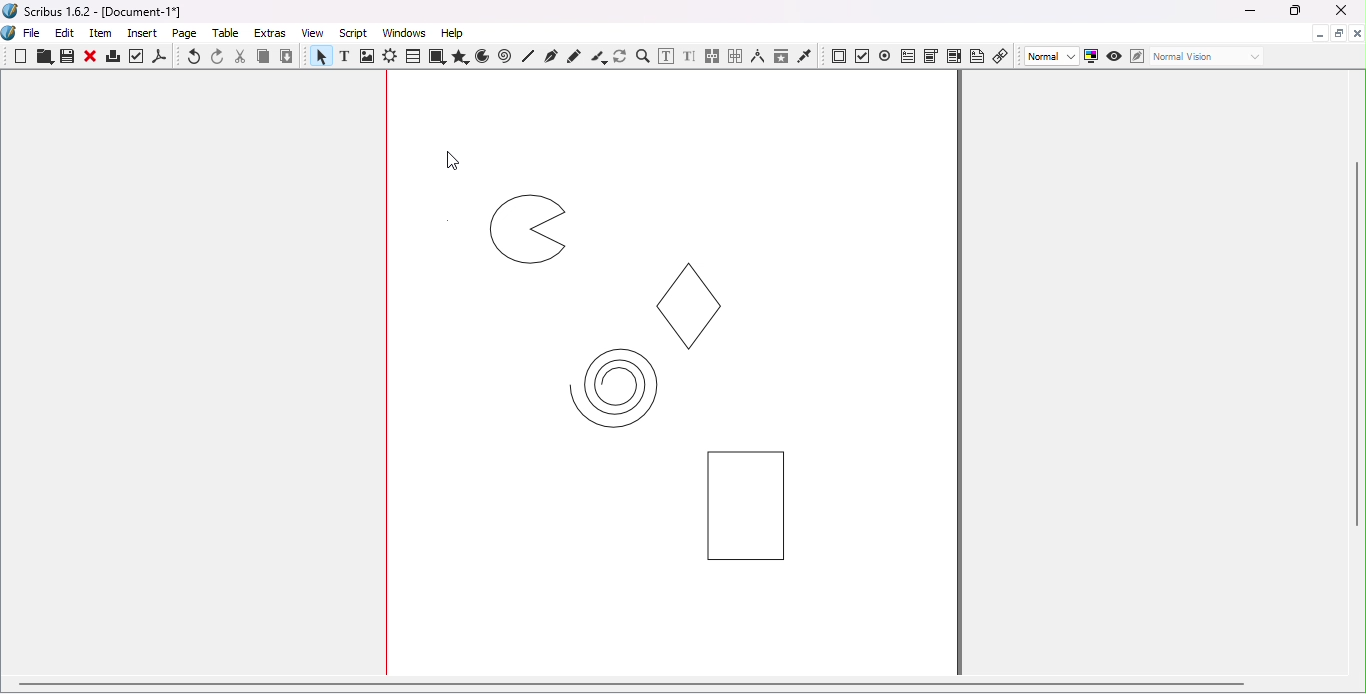  What do you see at coordinates (757, 56) in the screenshot?
I see `Measurements` at bounding box center [757, 56].